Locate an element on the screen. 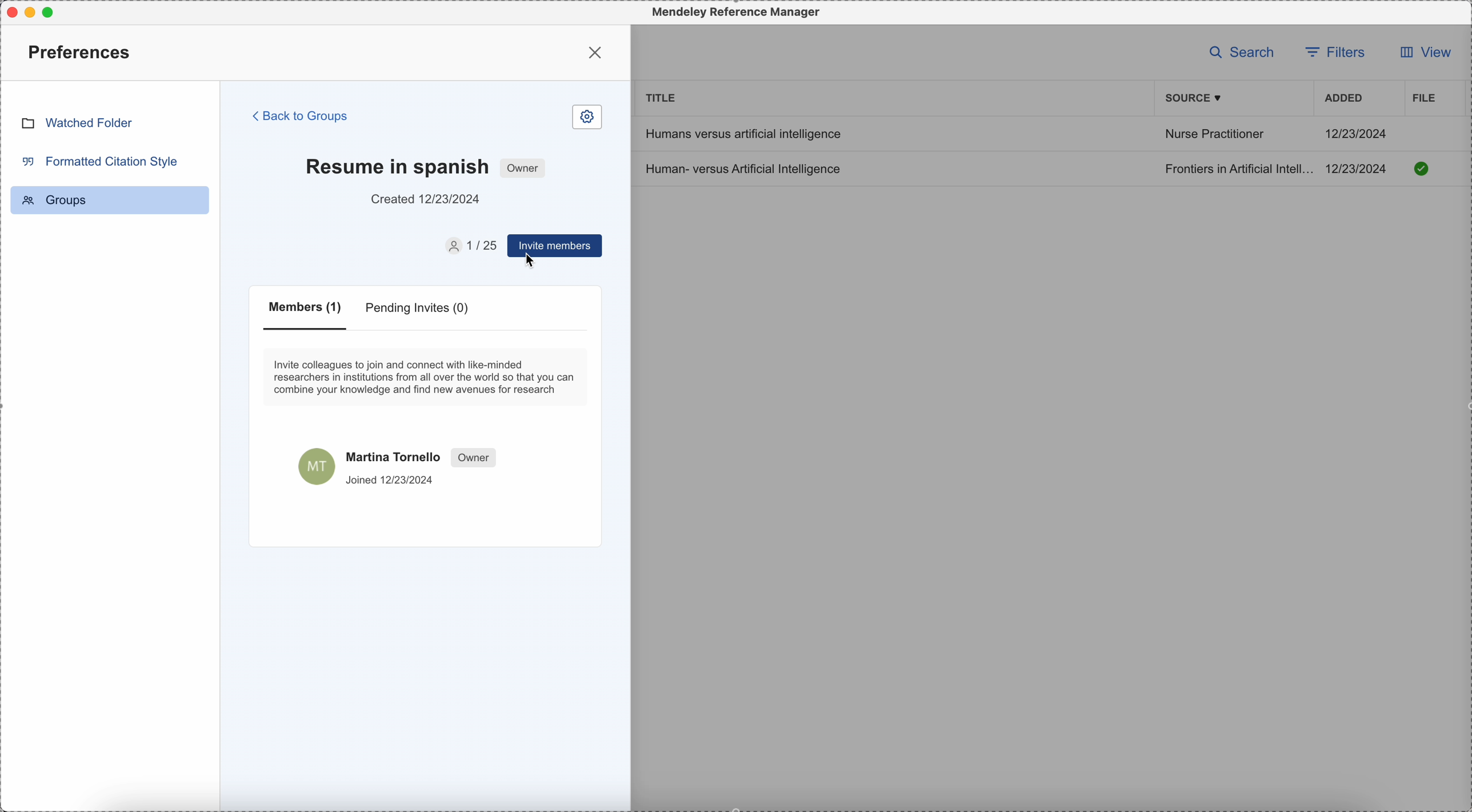 This screenshot has width=1472, height=812. view is located at coordinates (1421, 55).